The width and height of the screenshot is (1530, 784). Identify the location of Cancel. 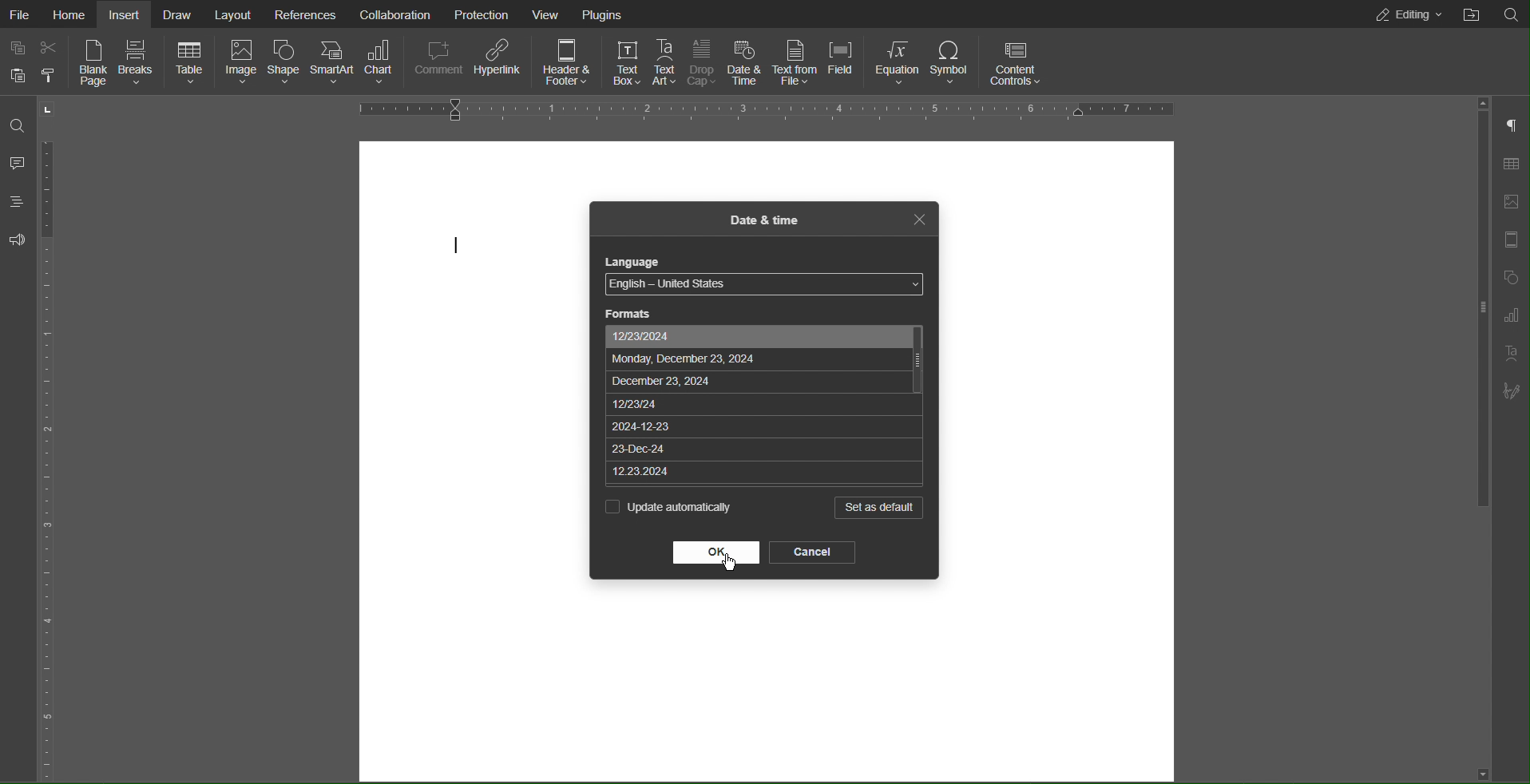
(812, 552).